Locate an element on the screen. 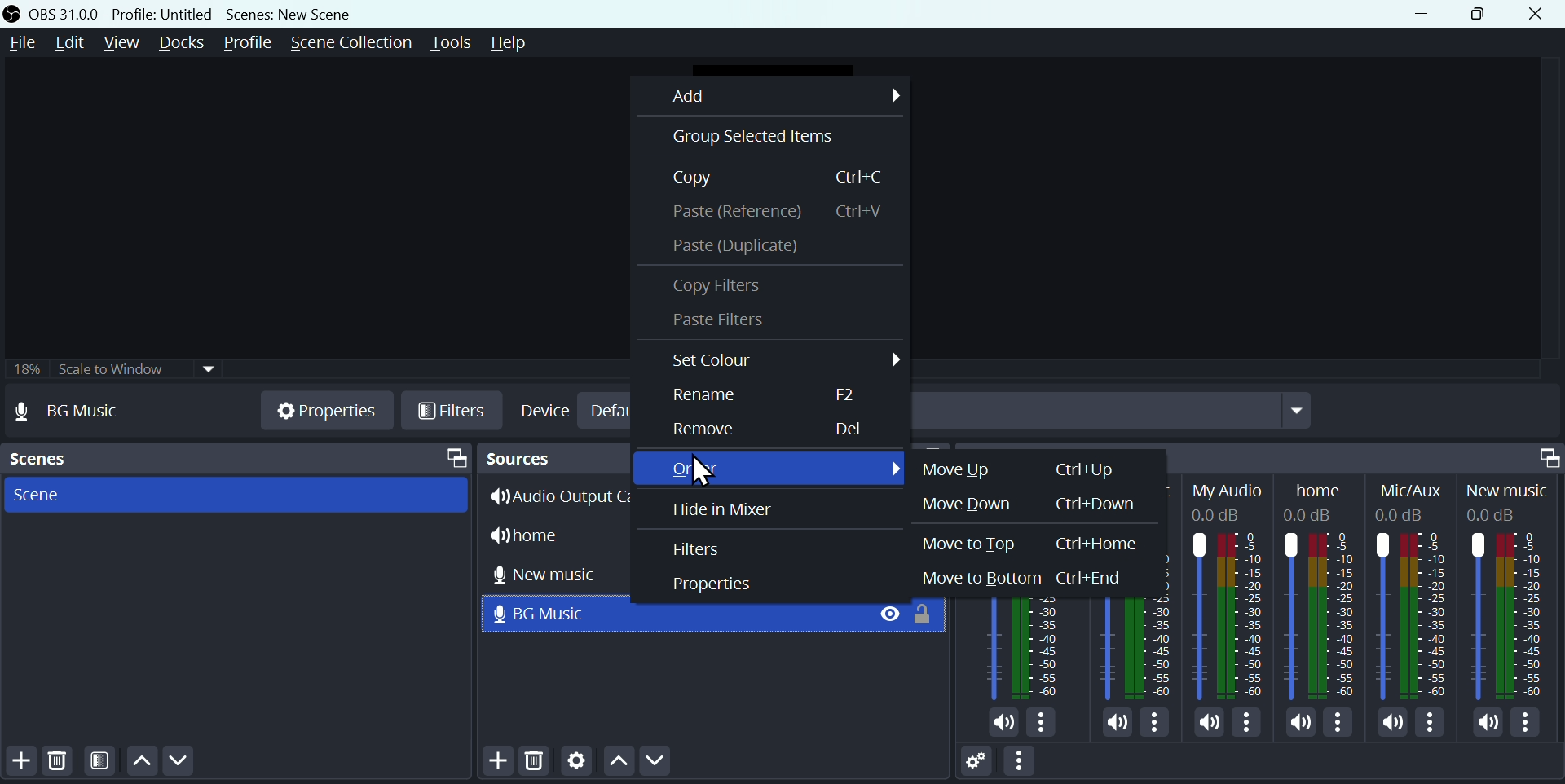 The height and width of the screenshot is (784, 1565). Setting is located at coordinates (962, 757).